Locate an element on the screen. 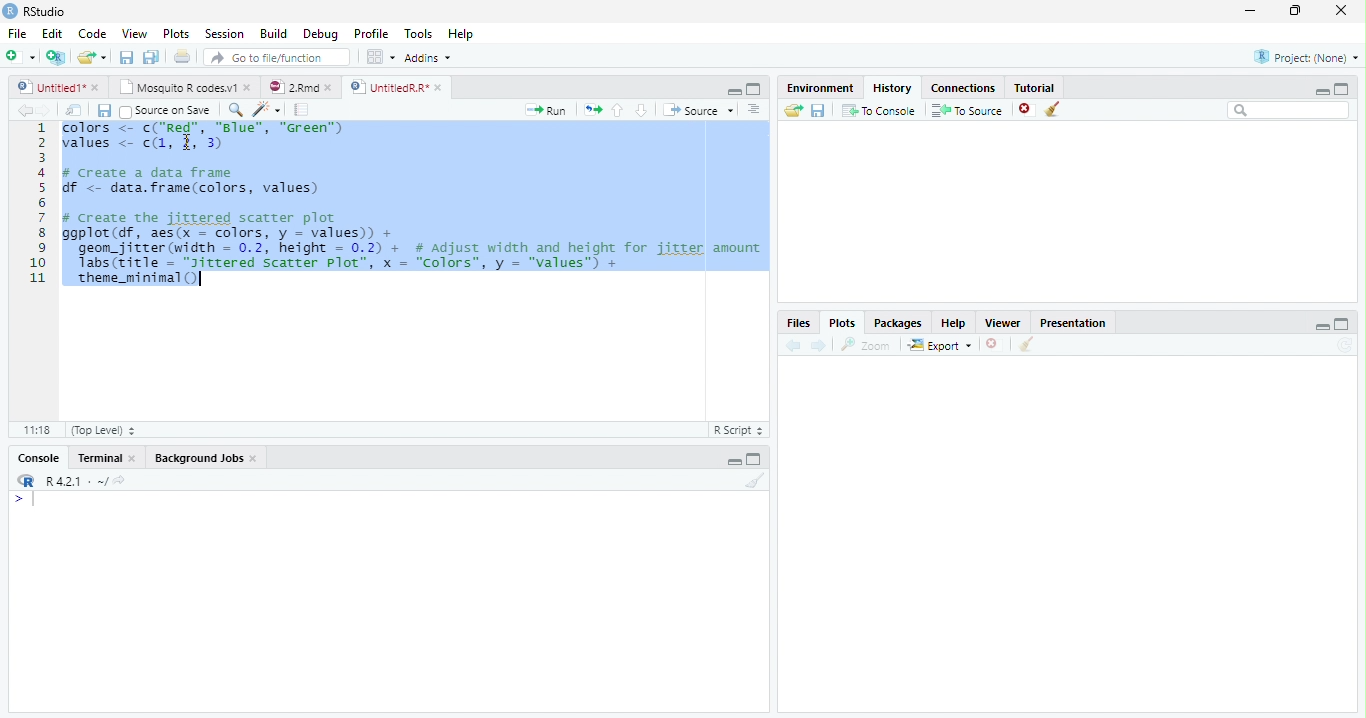 The width and height of the screenshot is (1366, 718). Re-run the previous code region is located at coordinates (592, 110).